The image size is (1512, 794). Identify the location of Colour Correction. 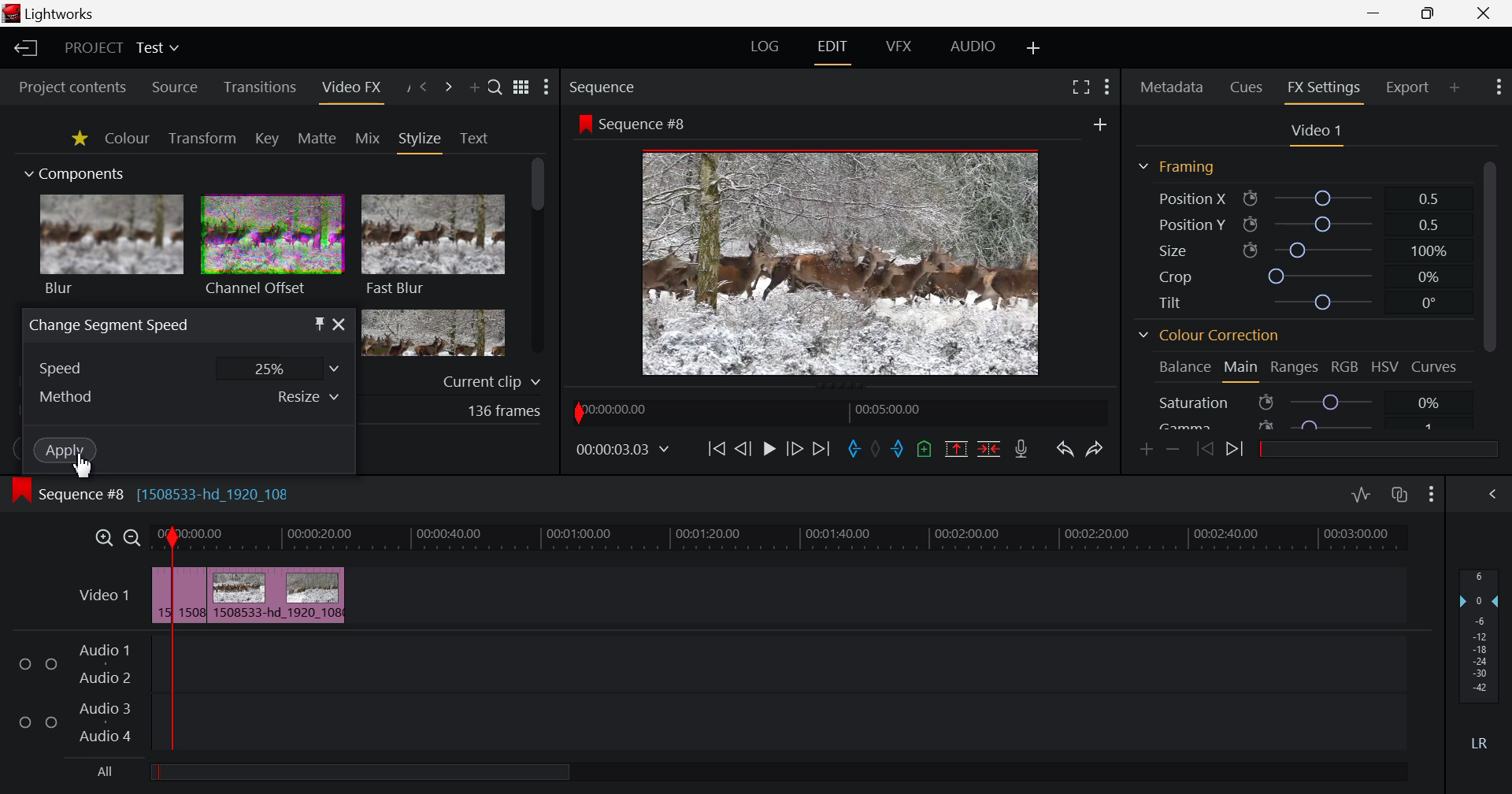
(1209, 336).